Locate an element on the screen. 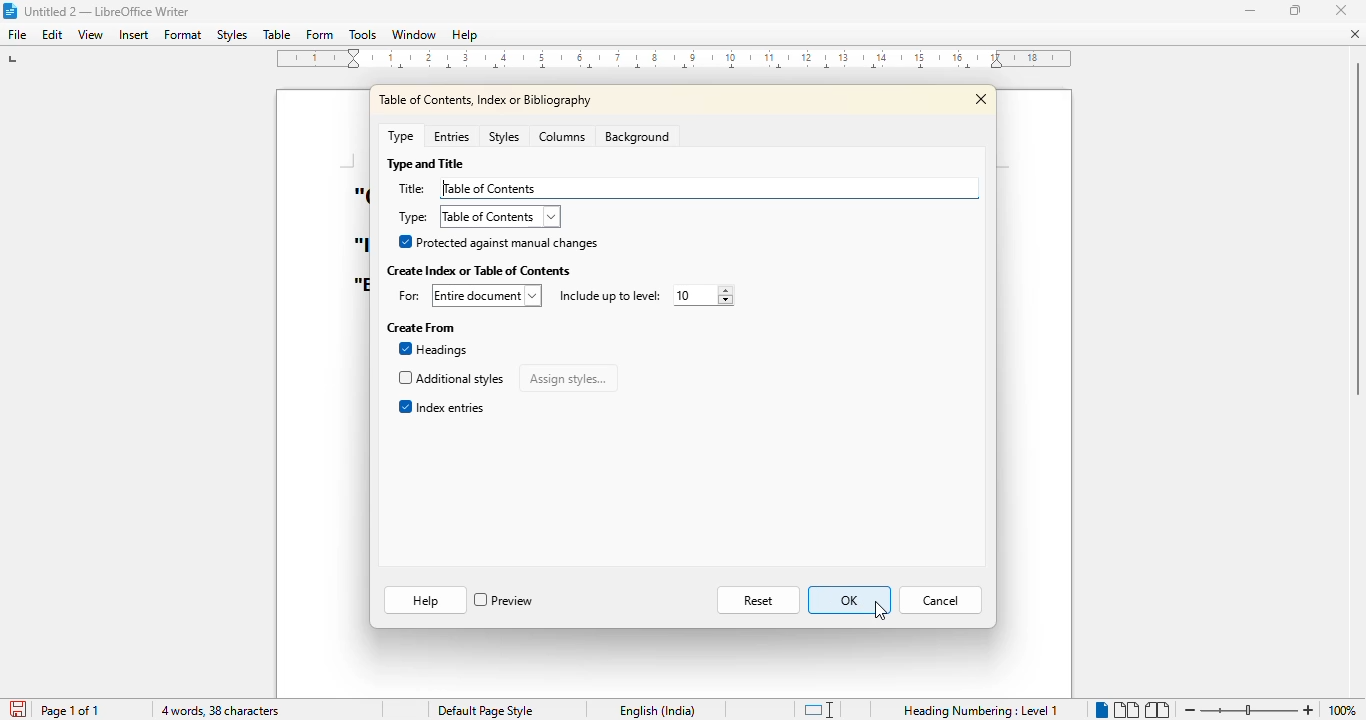 The image size is (1366, 720). cursor is located at coordinates (880, 611).